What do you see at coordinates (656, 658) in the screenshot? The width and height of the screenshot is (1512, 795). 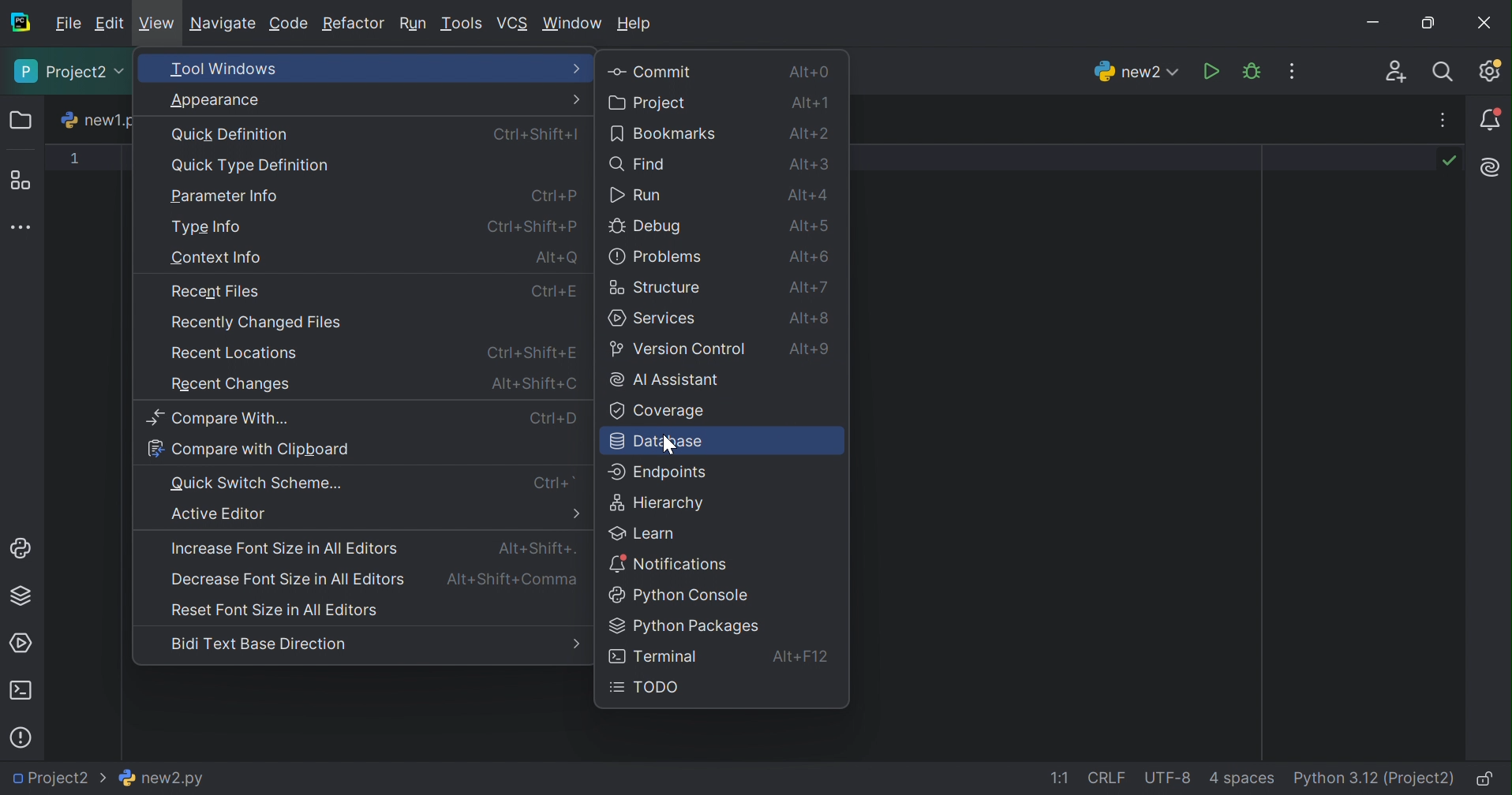 I see `Terminal` at bounding box center [656, 658].